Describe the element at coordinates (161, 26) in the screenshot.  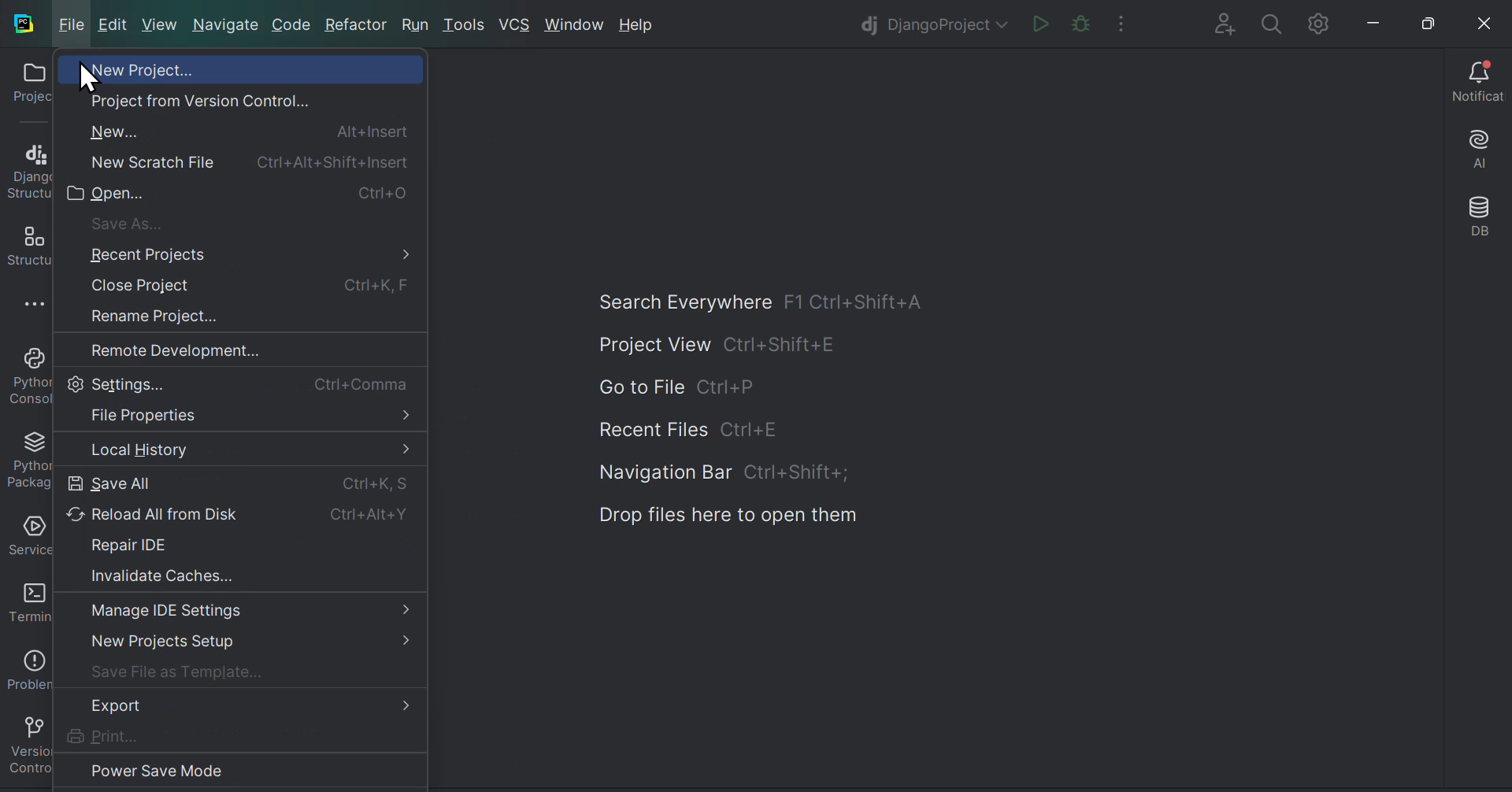
I see `New` at that location.